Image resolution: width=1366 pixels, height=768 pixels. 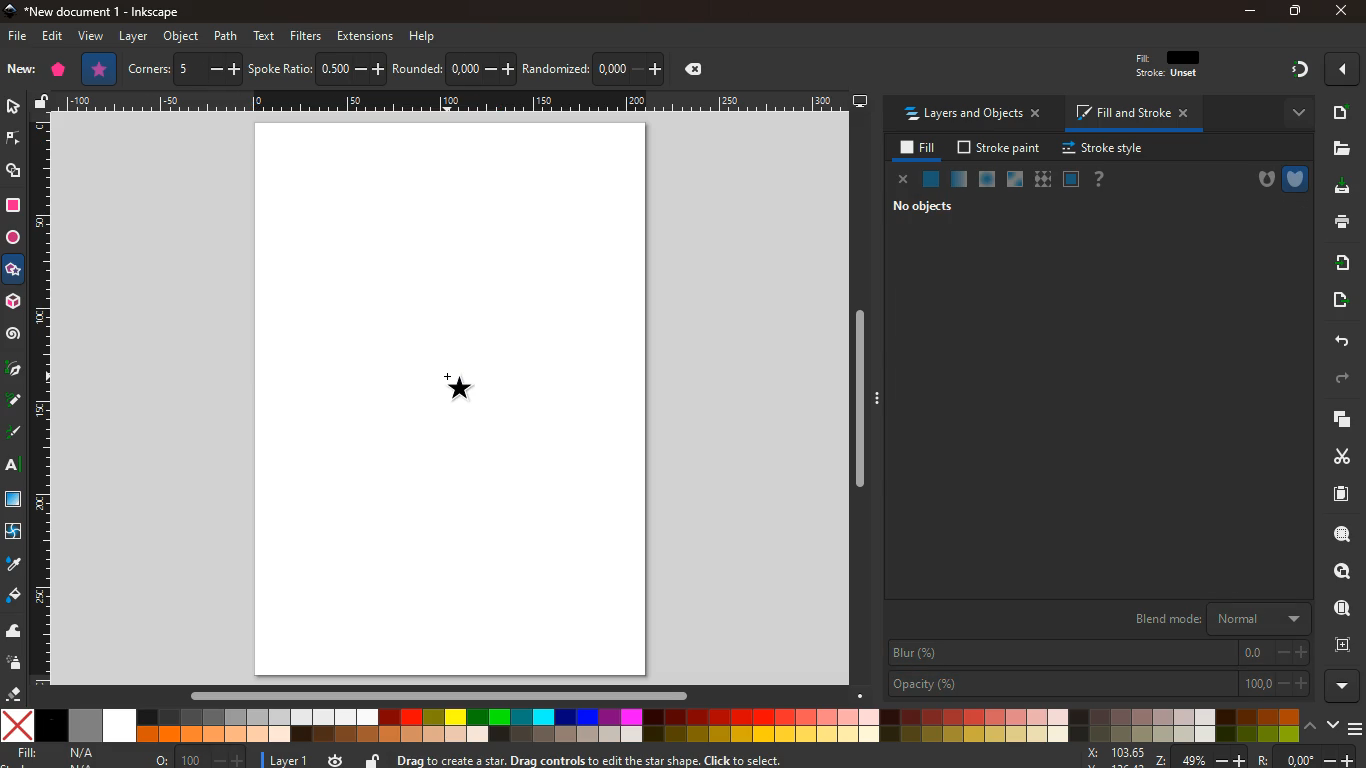 I want to click on glass, so click(x=1016, y=179).